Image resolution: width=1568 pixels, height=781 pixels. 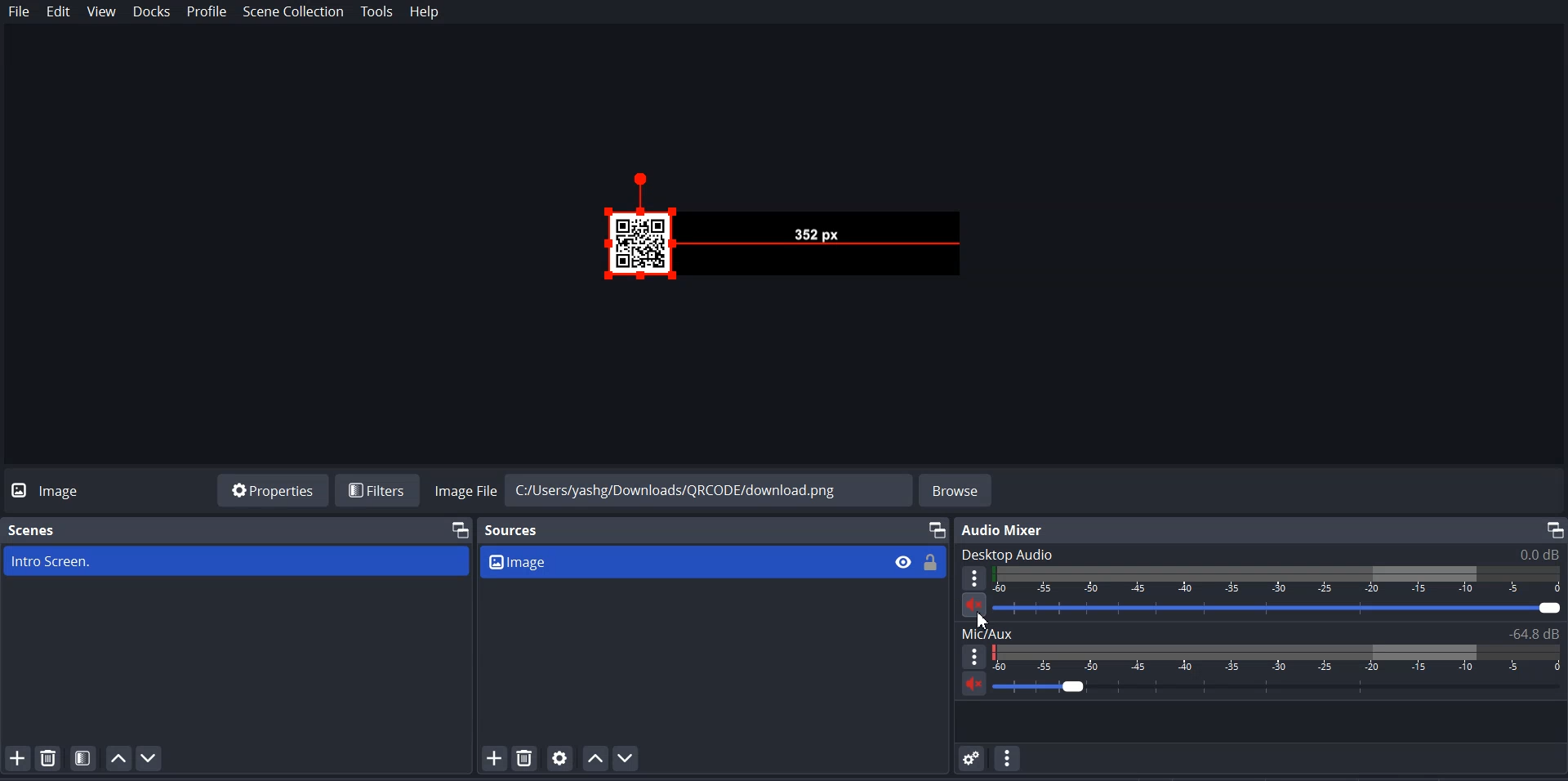 I want to click on Volume Adjuster, so click(x=1278, y=685).